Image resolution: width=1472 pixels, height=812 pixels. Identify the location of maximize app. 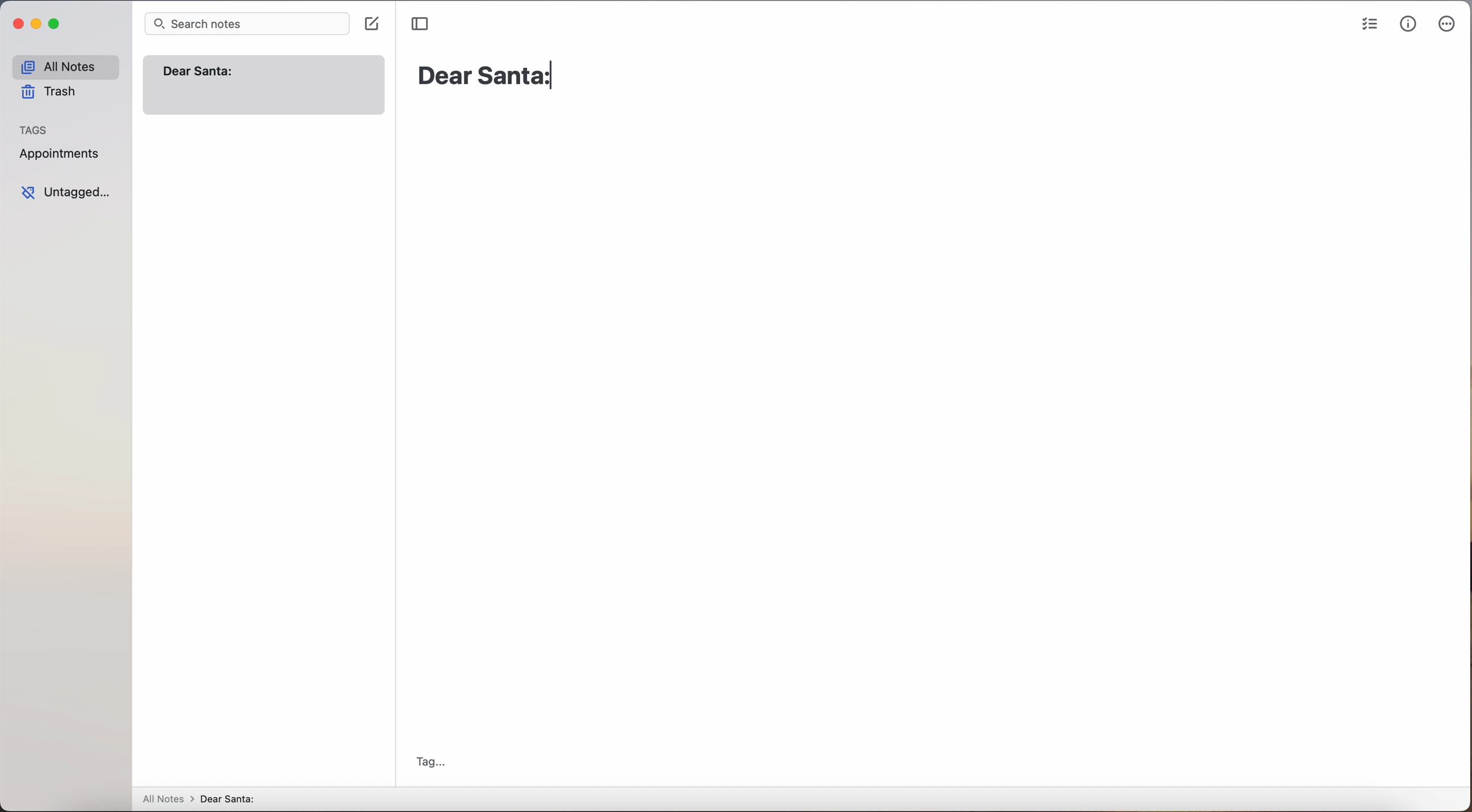
(56, 23).